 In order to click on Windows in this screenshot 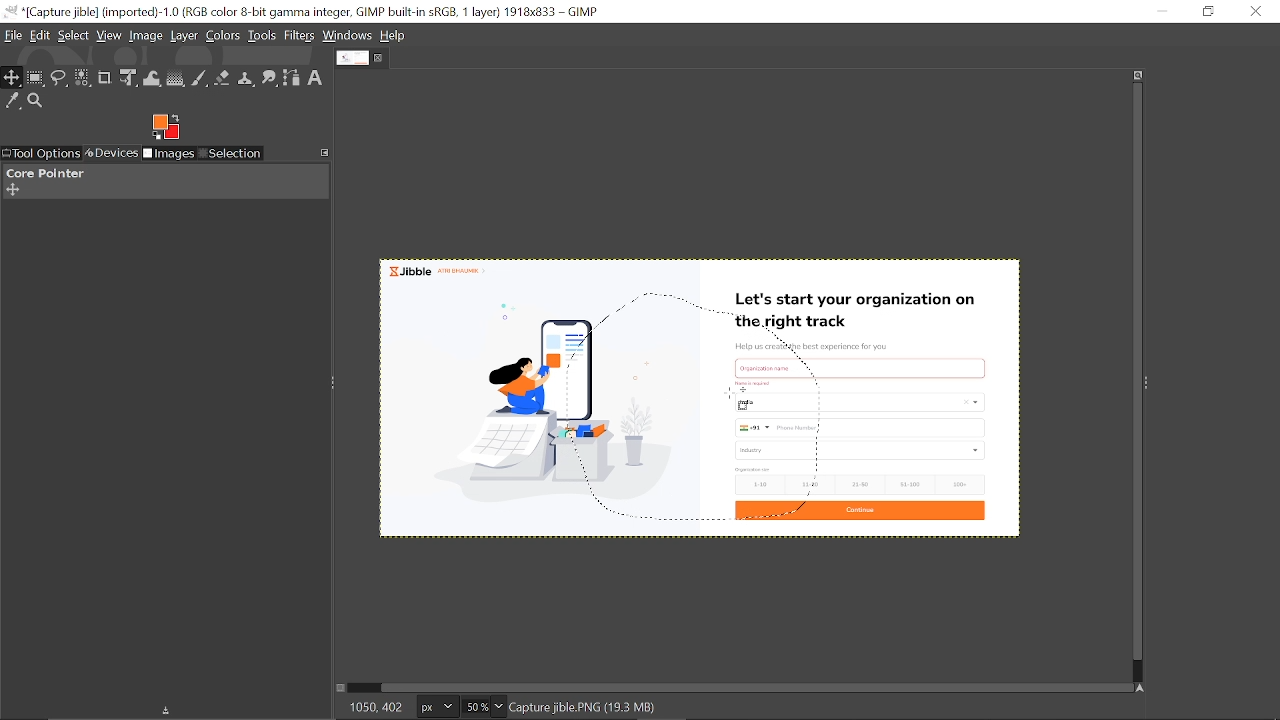, I will do `click(347, 35)`.